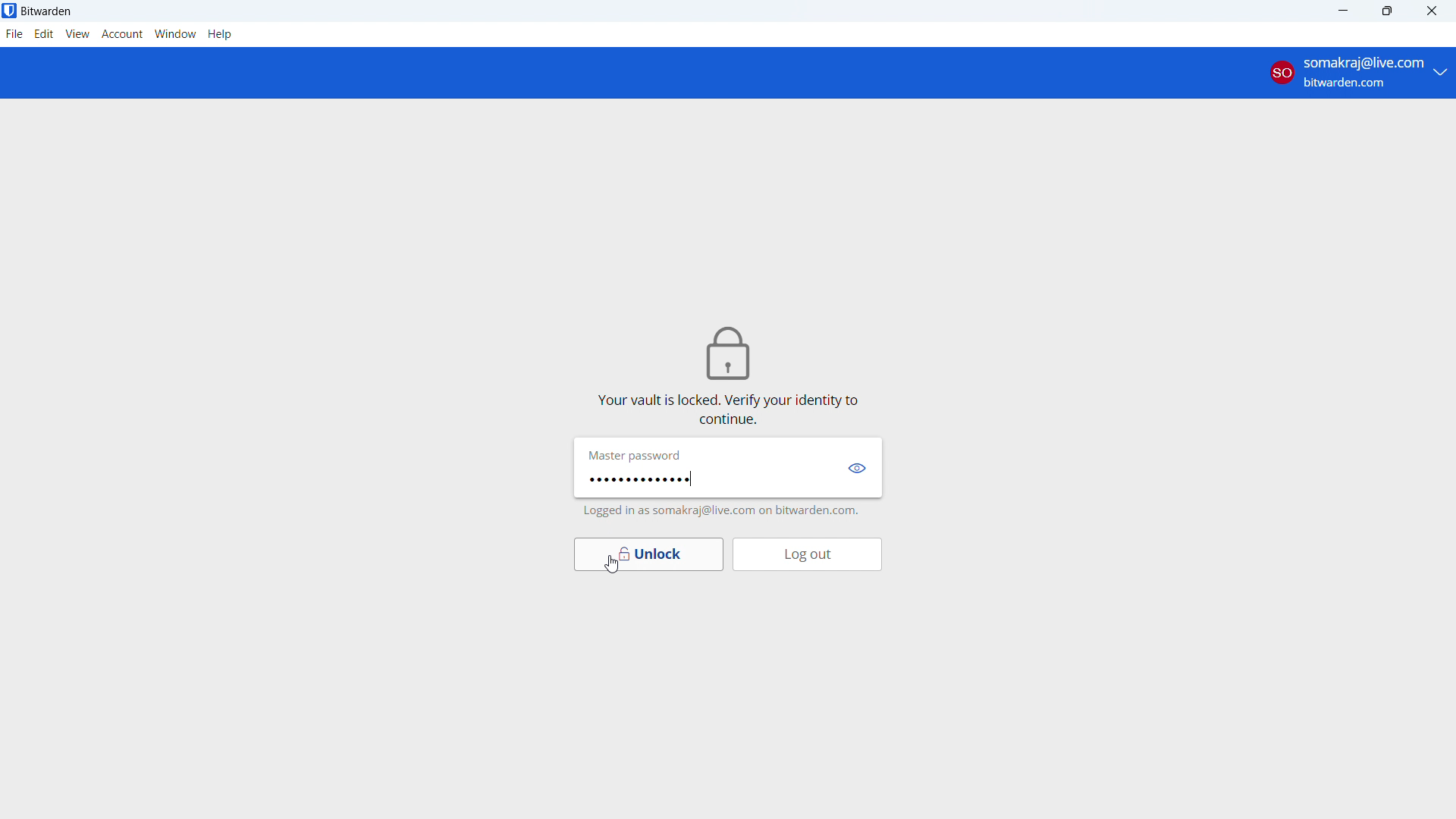 This screenshot has height=819, width=1456. Describe the element at coordinates (728, 409) in the screenshot. I see `vault is locked` at that location.